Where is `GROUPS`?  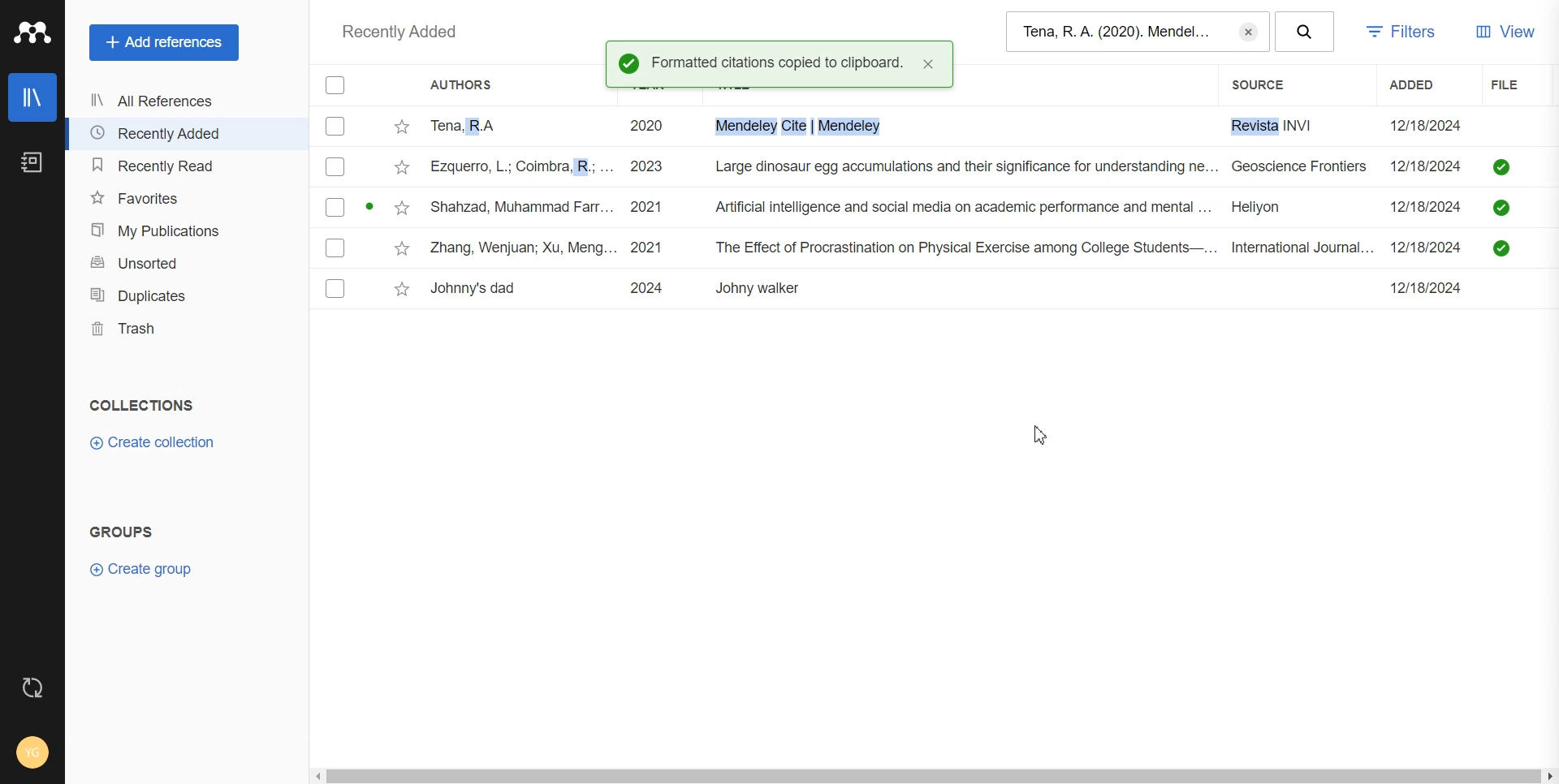
GROUPS is located at coordinates (122, 531).